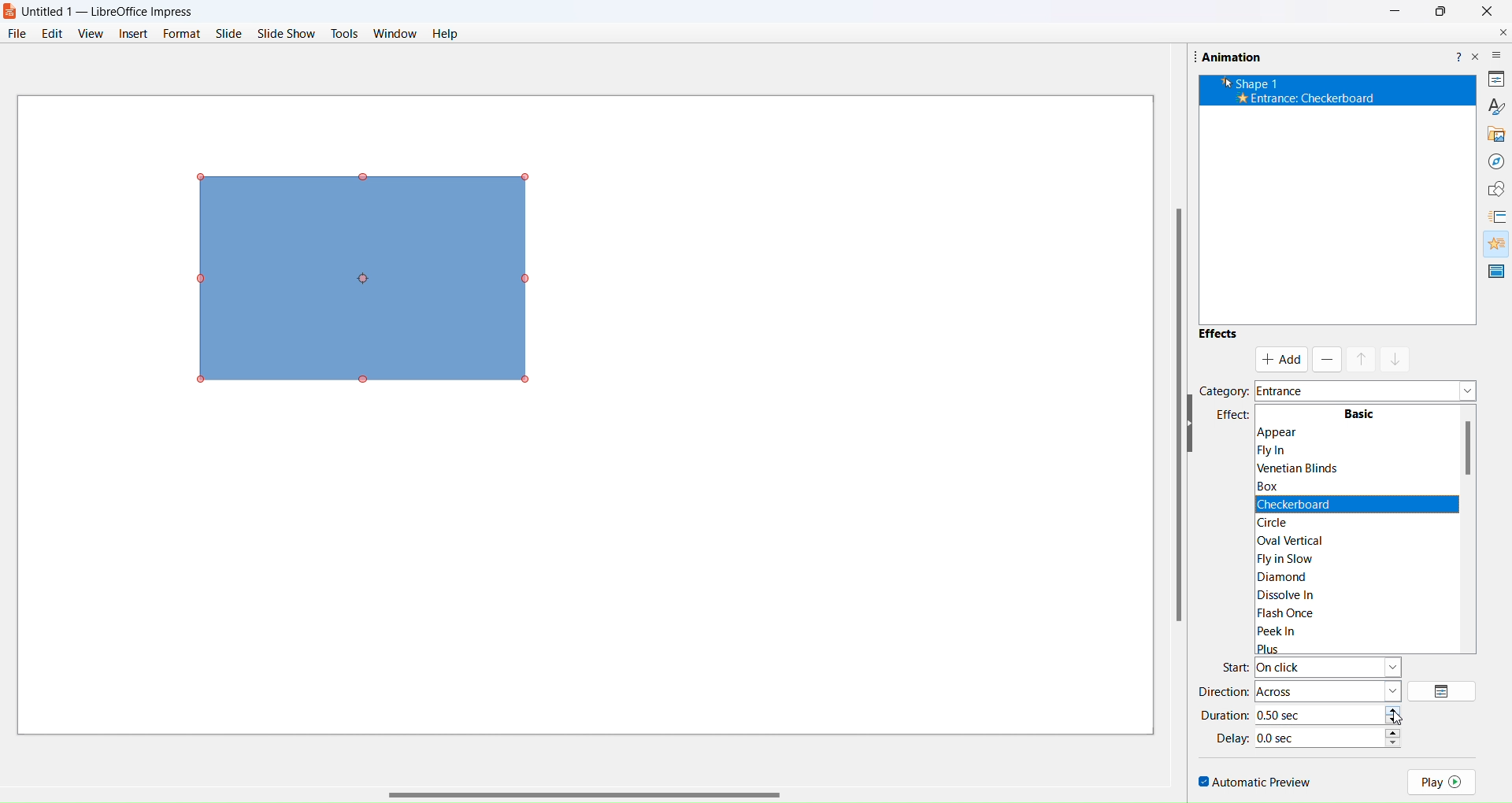  I want to click on play, so click(1443, 780).